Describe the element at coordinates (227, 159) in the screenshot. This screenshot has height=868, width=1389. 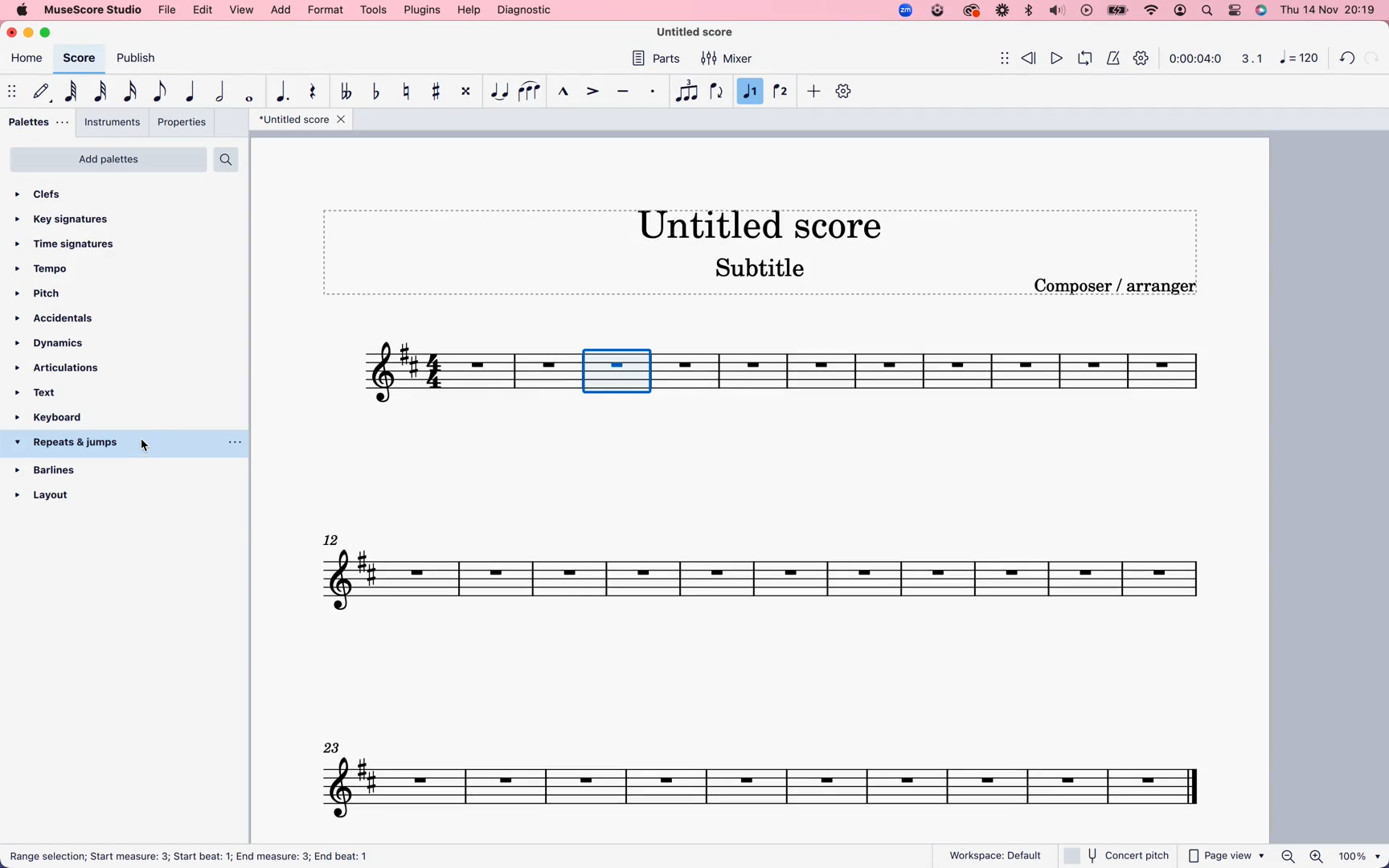
I see `search` at that location.